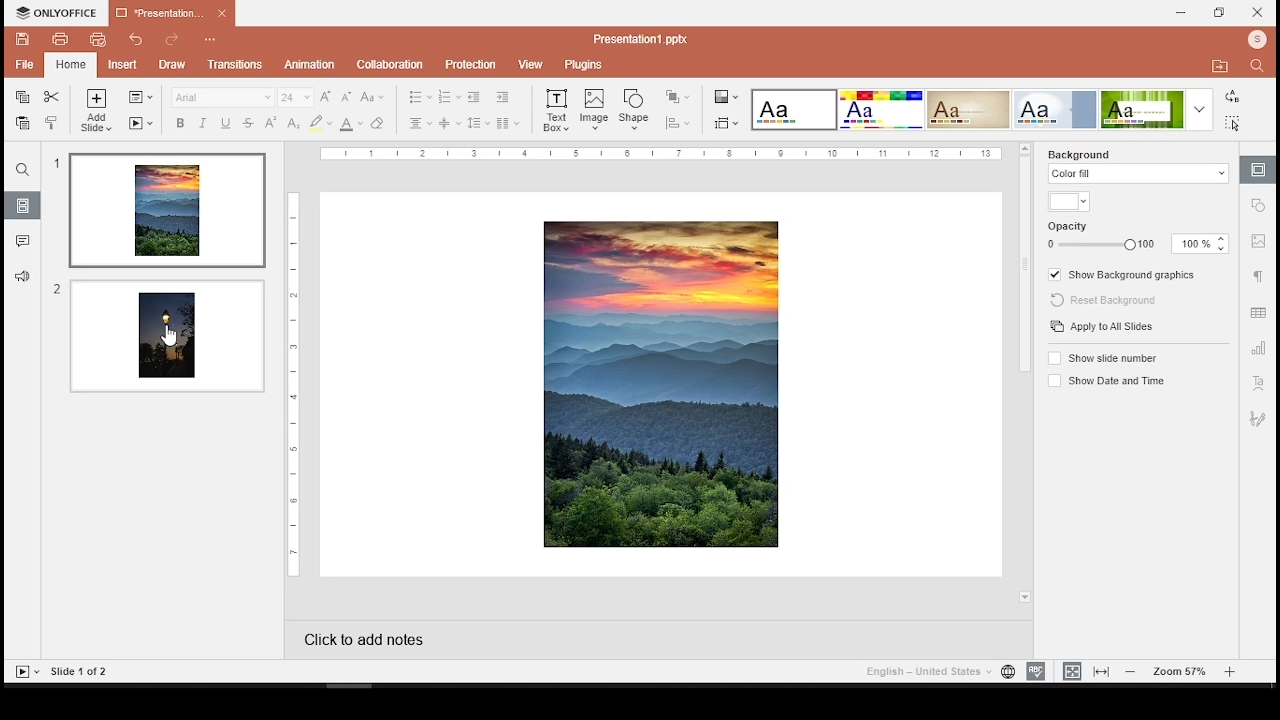 Image resolution: width=1280 pixels, height=720 pixels. I want to click on slide style, so click(1055, 110).